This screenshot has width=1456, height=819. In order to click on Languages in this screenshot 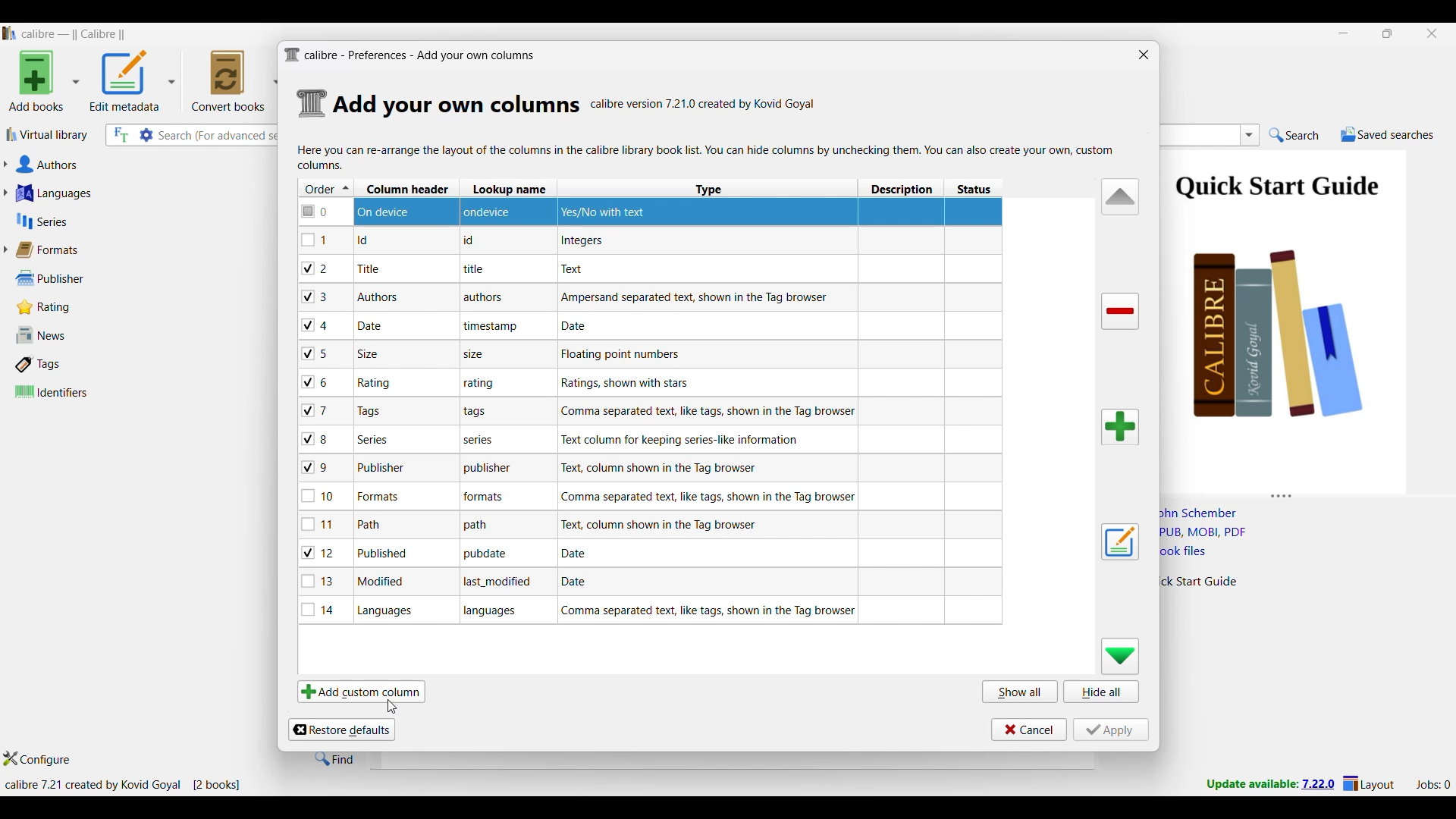, I will do `click(115, 193)`.